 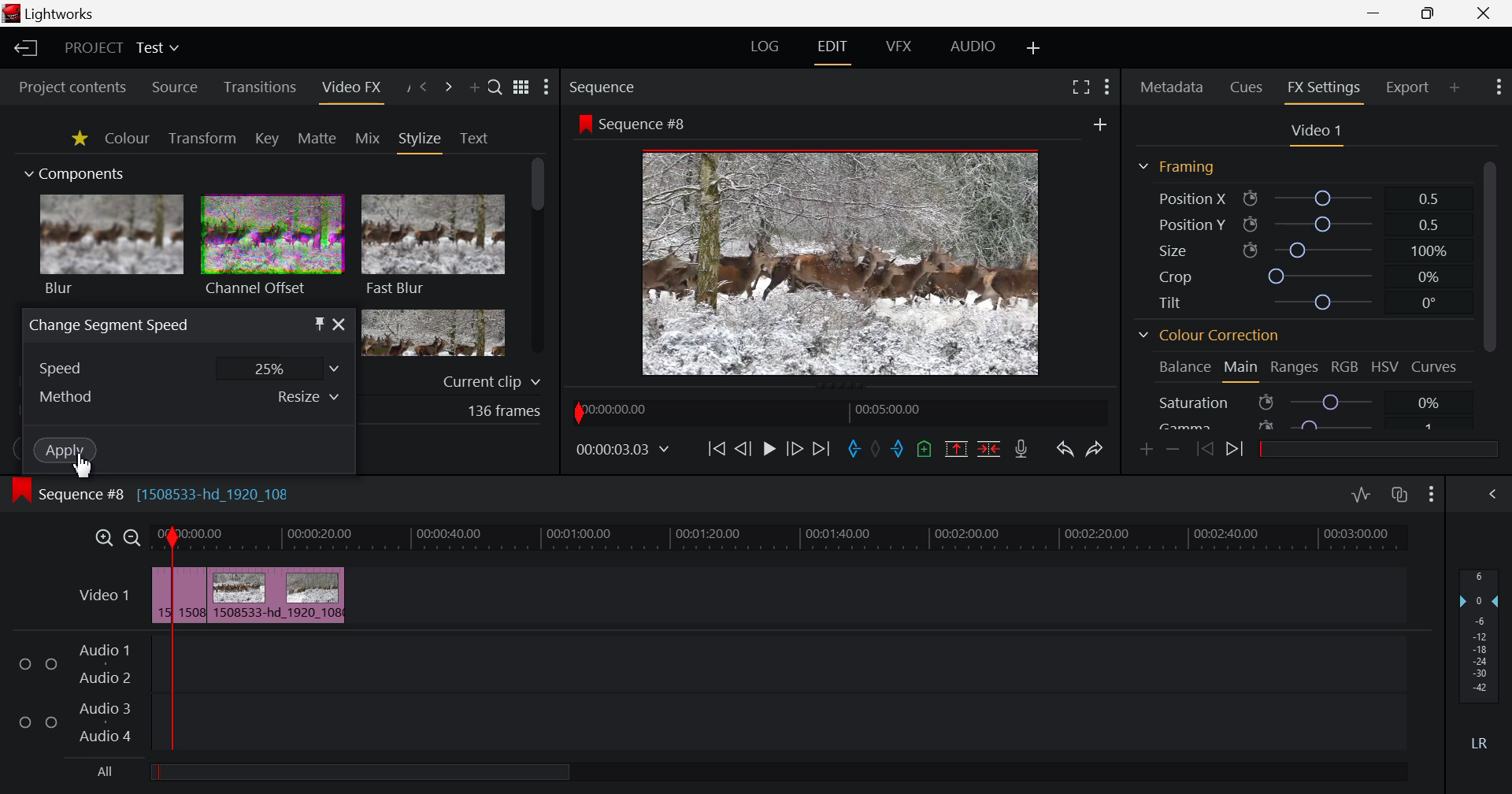 I want to click on To End, so click(x=821, y=450).